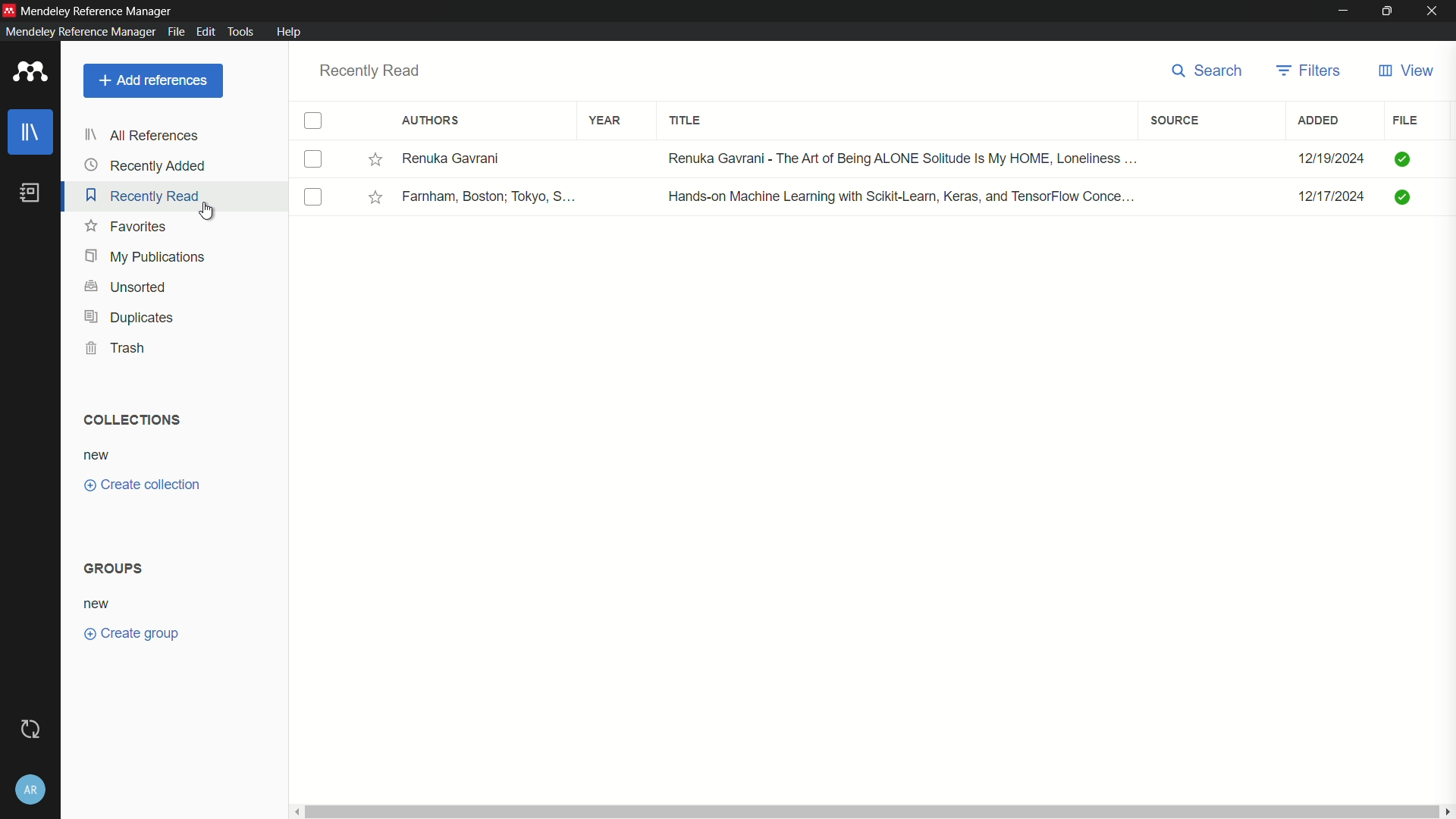  I want to click on my publications, so click(146, 256).